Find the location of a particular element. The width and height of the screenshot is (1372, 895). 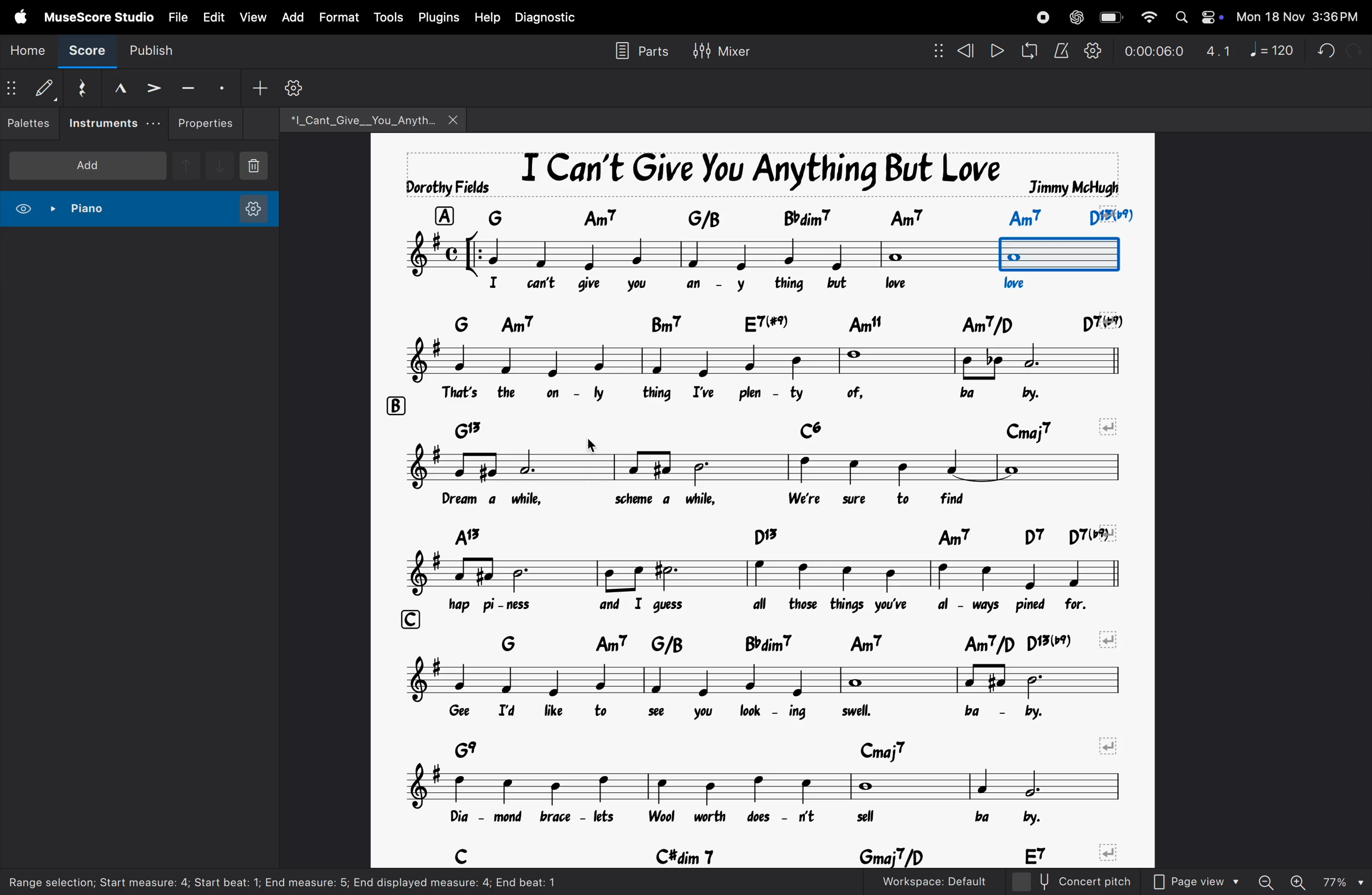

chord symbols is located at coordinates (803, 644).